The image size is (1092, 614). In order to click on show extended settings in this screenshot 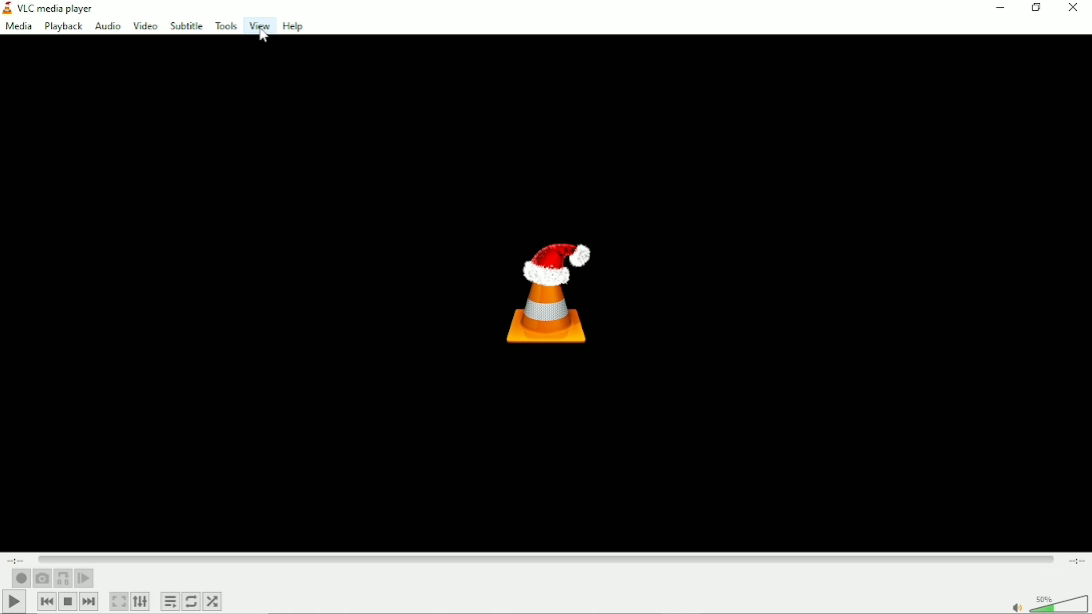, I will do `click(142, 602)`.